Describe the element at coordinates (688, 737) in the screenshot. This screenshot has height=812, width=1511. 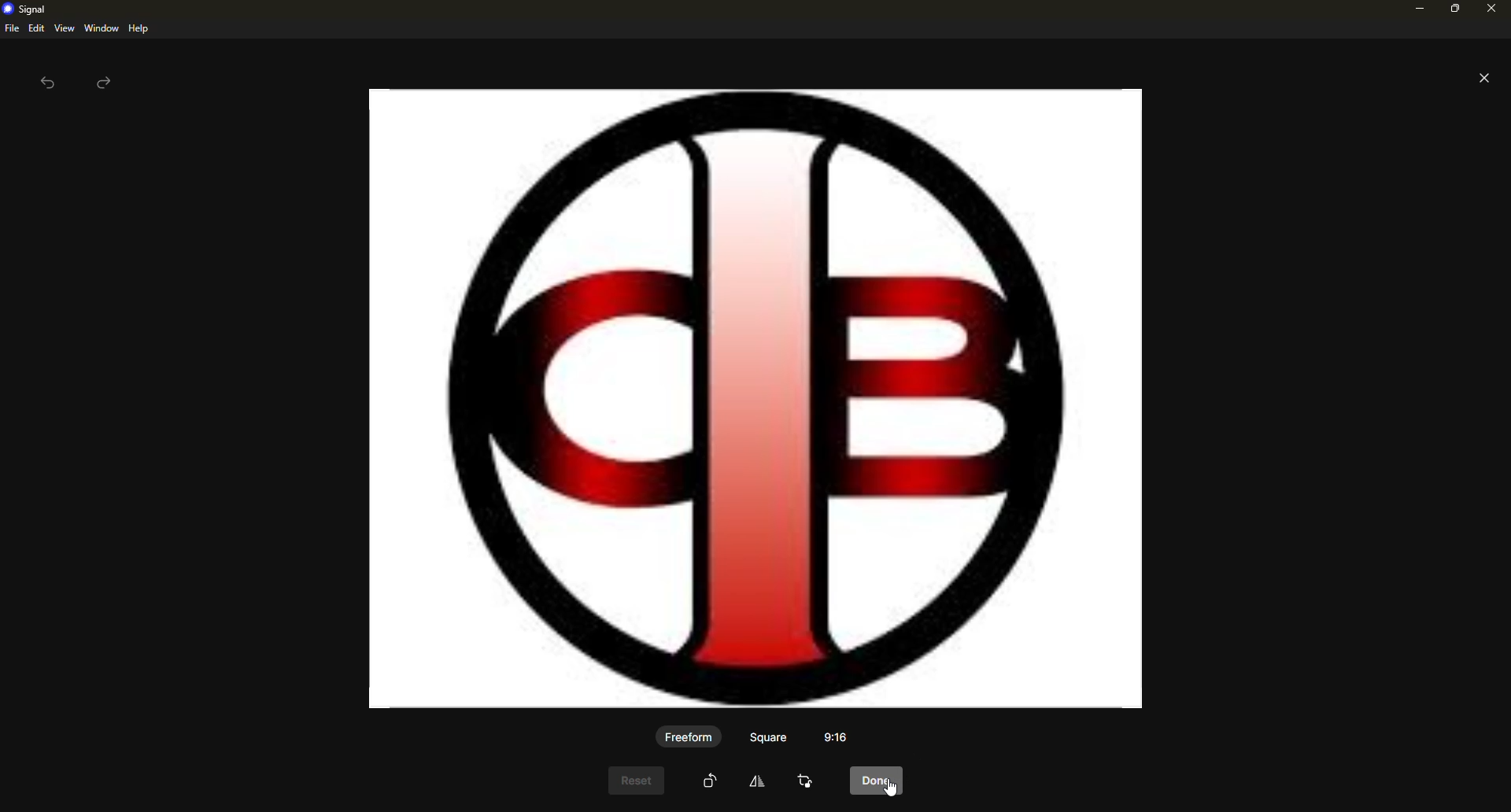
I see `freeform` at that location.